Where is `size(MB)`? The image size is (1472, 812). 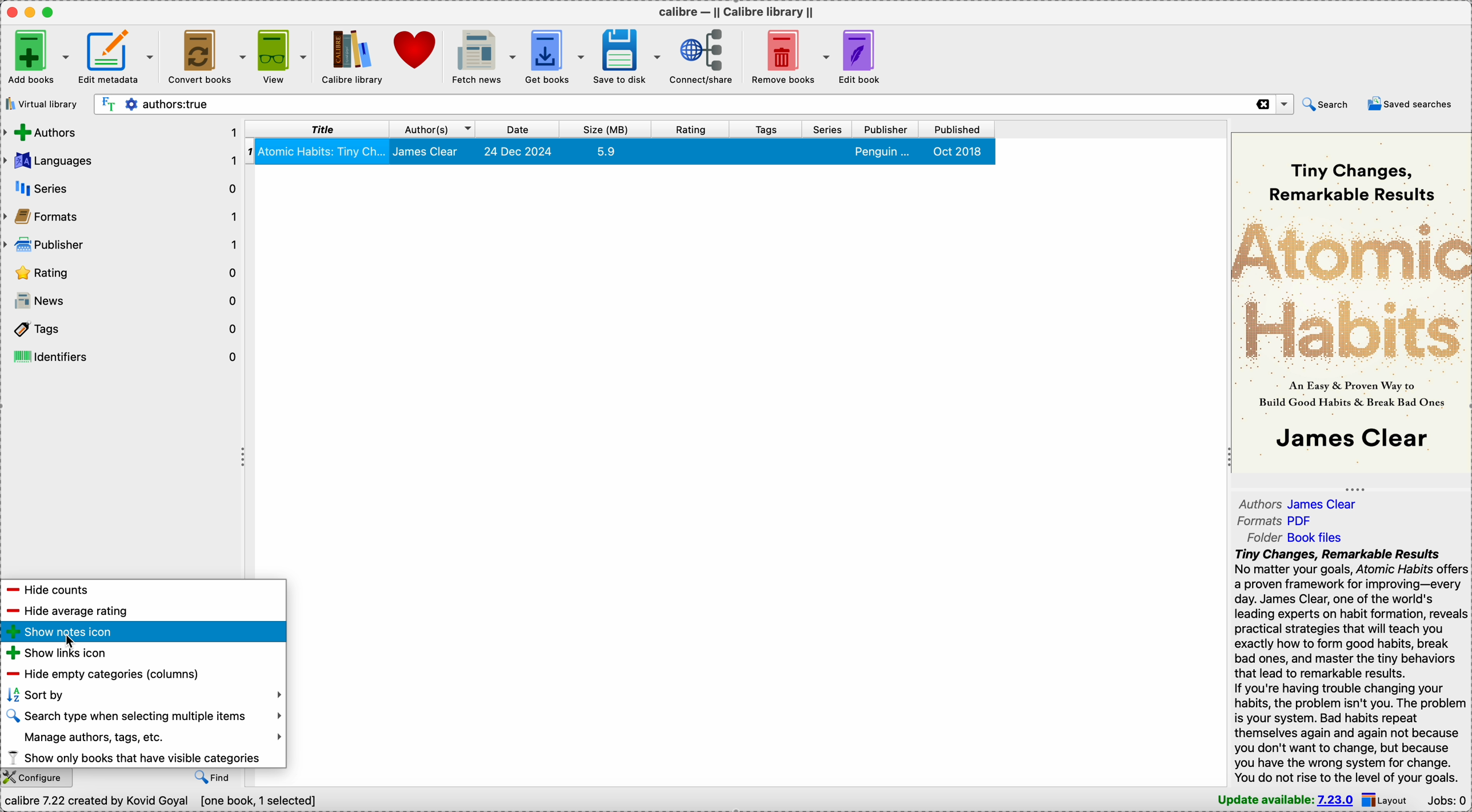 size(MB) is located at coordinates (607, 128).